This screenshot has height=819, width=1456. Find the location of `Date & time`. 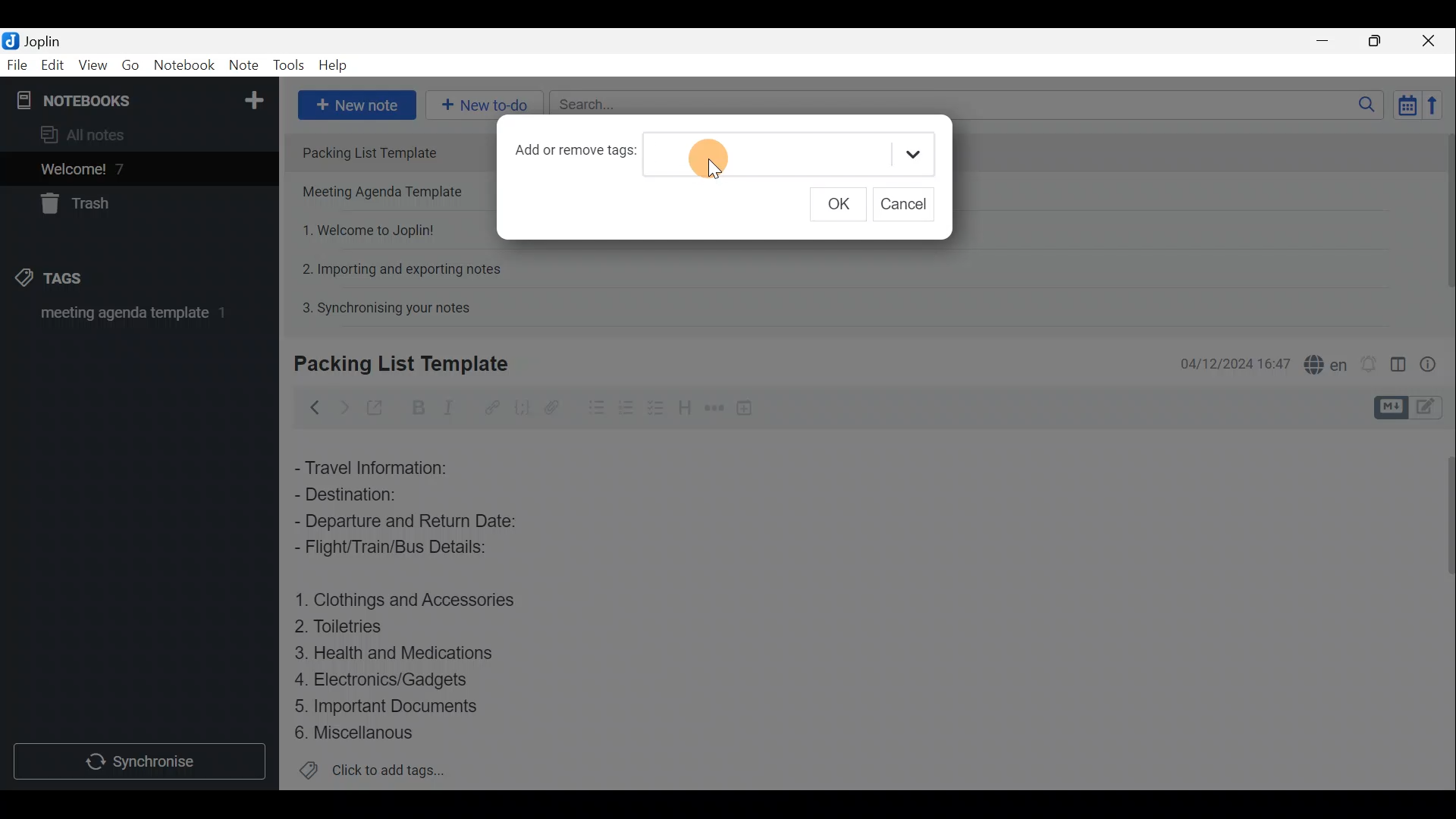

Date & time is located at coordinates (1235, 362).